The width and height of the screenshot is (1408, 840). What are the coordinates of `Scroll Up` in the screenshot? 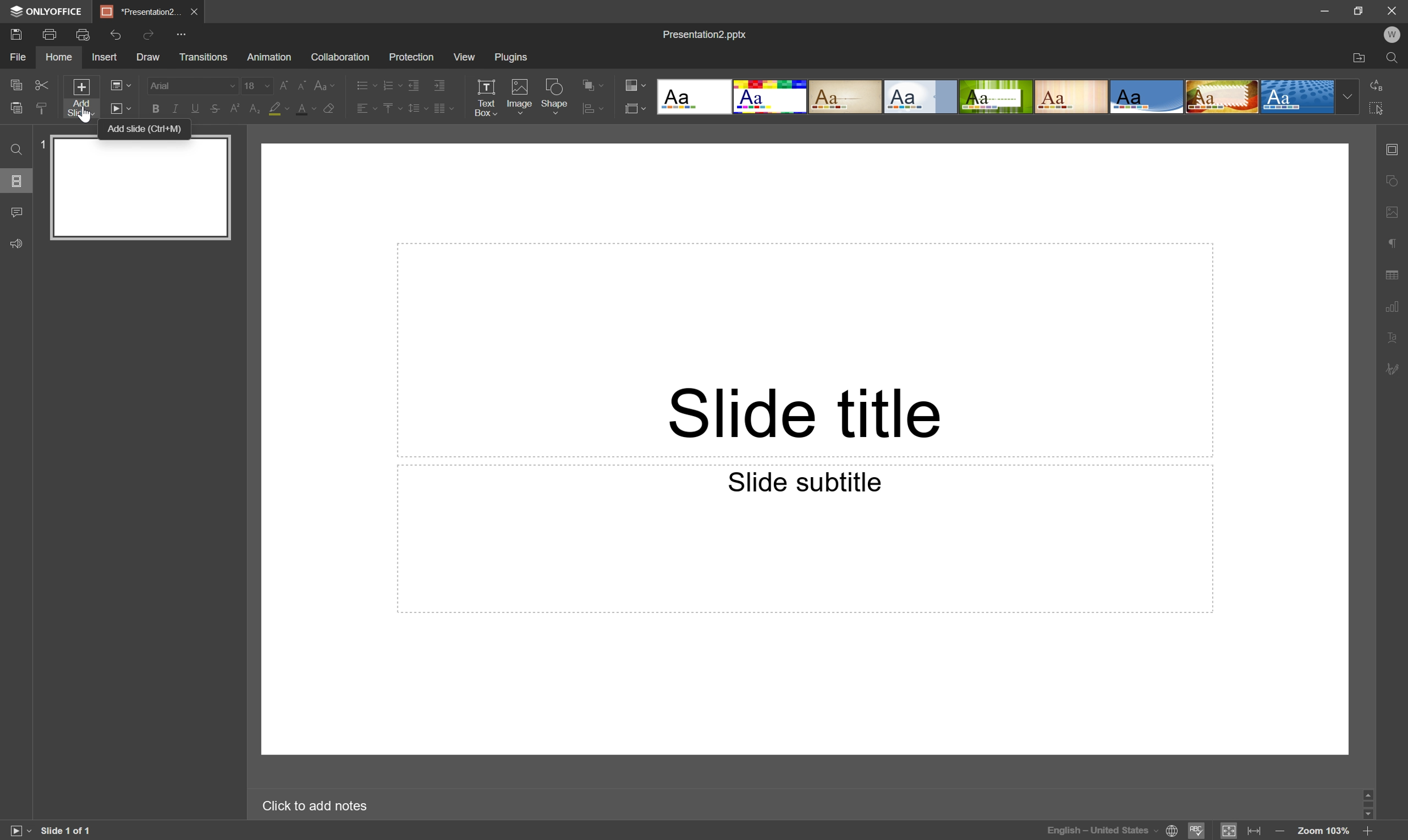 It's located at (1374, 792).